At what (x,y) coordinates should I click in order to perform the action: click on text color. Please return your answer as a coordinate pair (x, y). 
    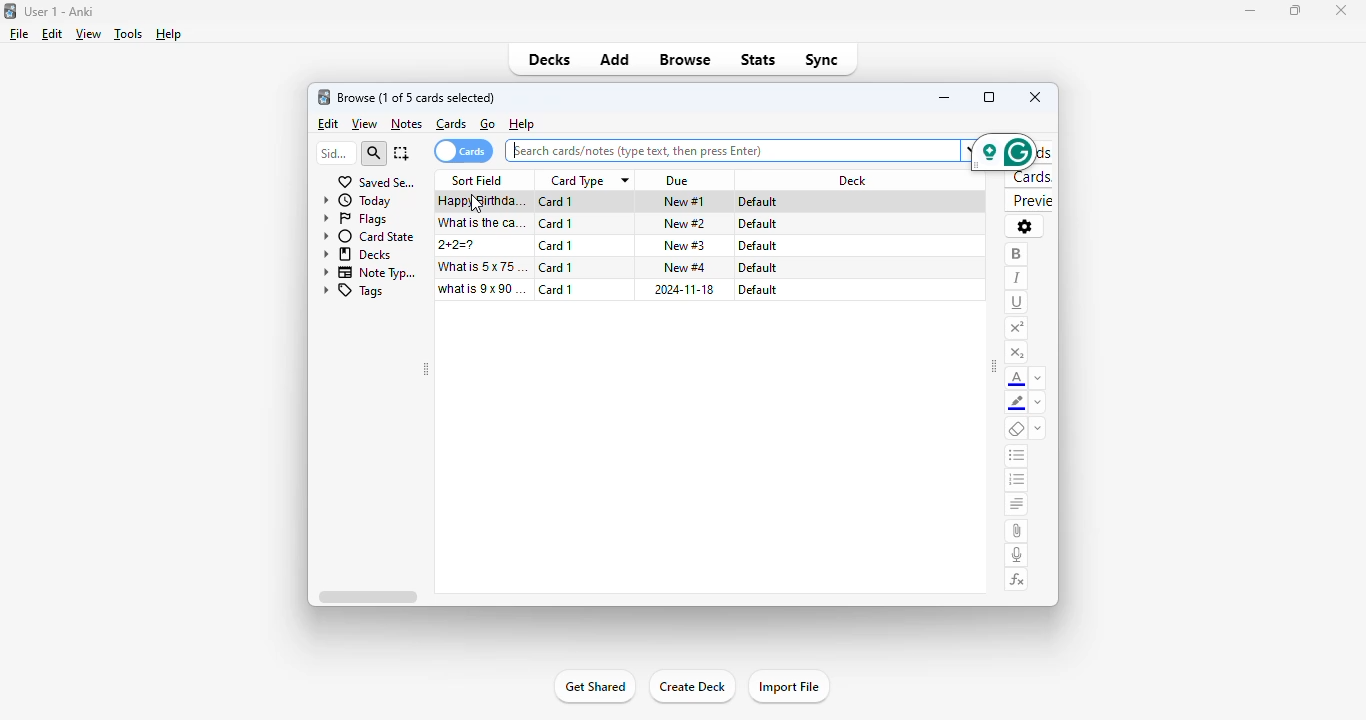
    Looking at the image, I should click on (1016, 379).